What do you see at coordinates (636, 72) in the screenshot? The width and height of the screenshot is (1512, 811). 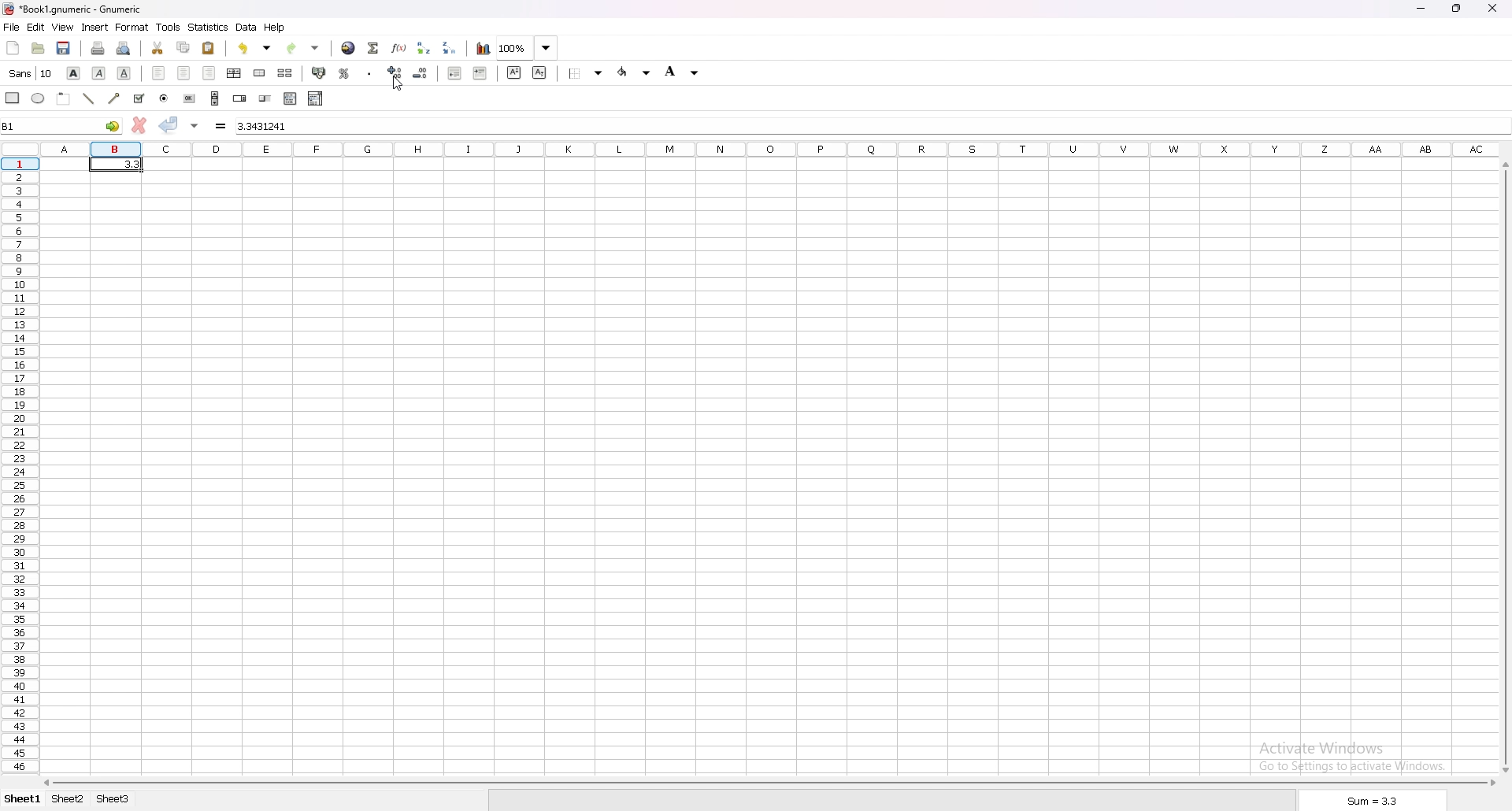 I see `foreground` at bounding box center [636, 72].